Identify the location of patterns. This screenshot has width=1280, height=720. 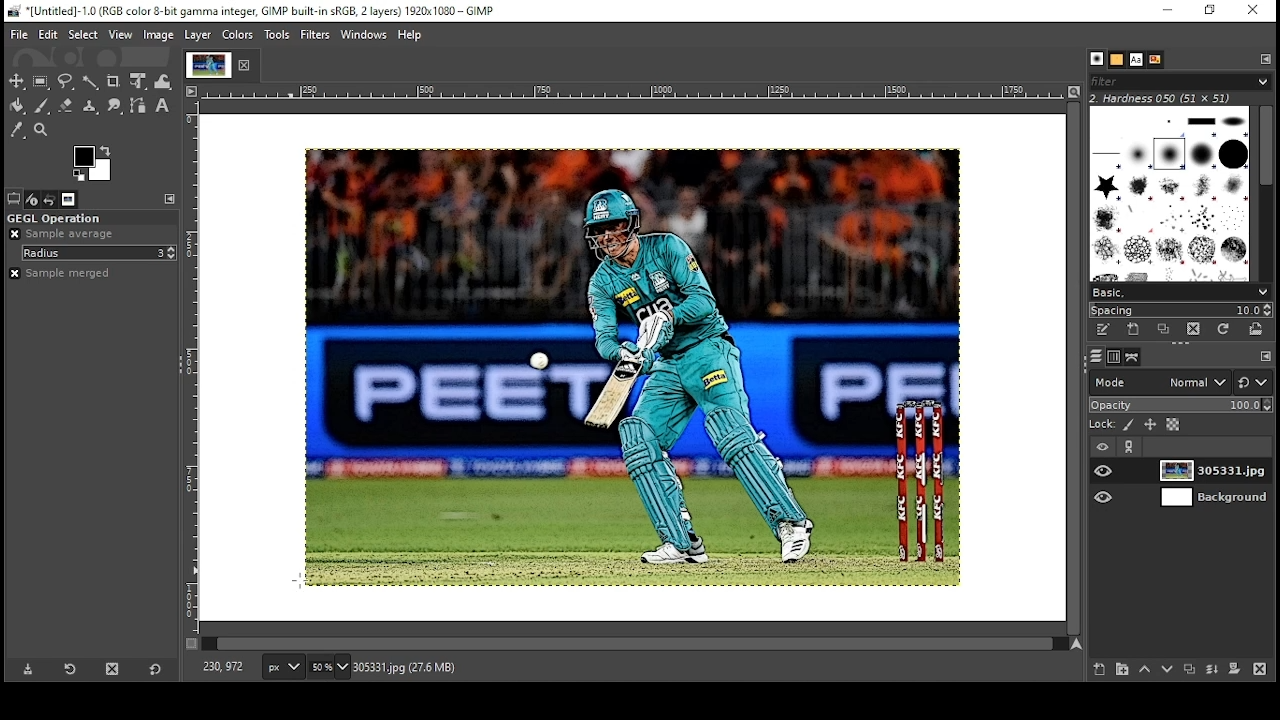
(1118, 60).